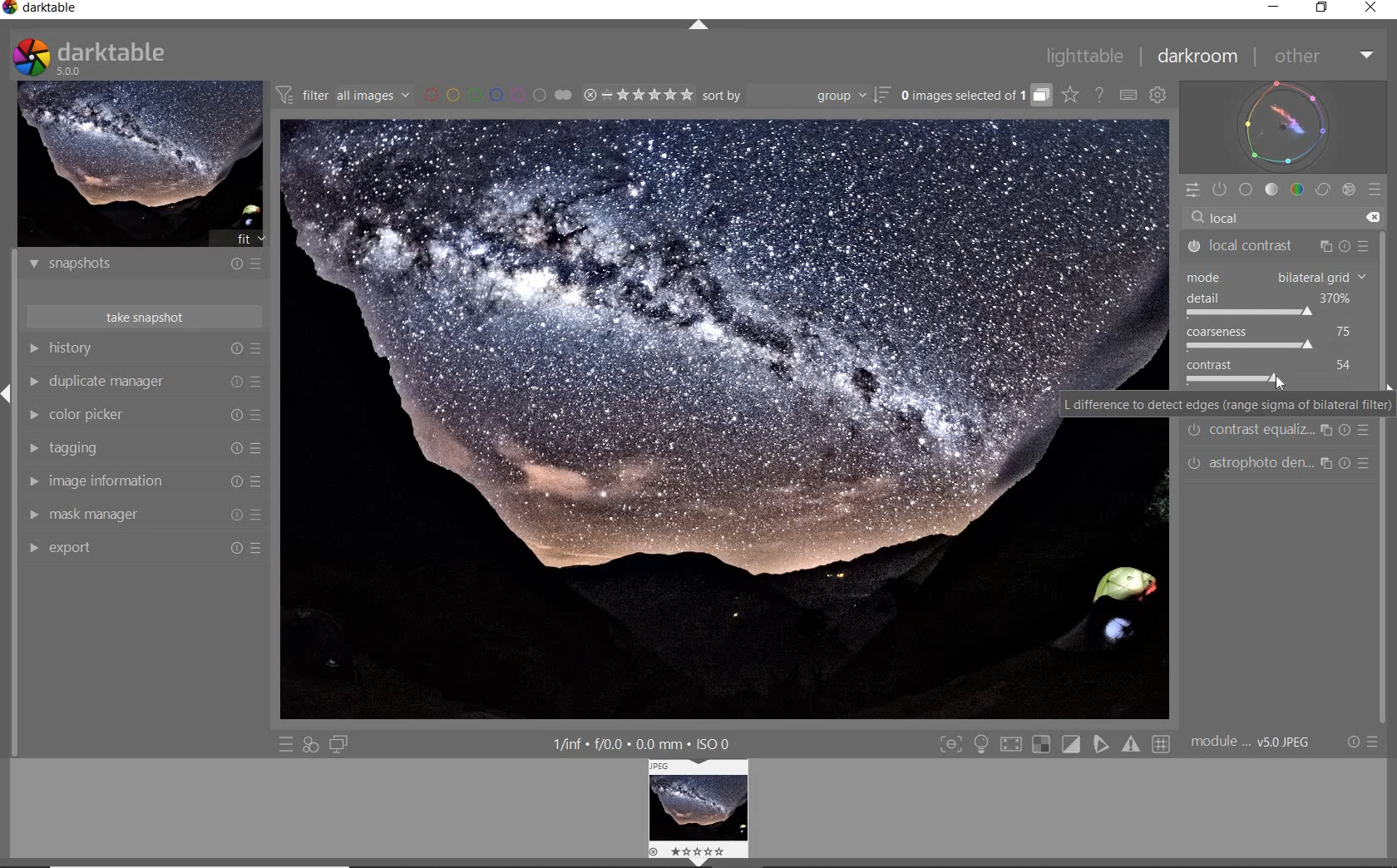  Describe the element at coordinates (1224, 379) in the screenshot. I see `contrast slider` at that location.